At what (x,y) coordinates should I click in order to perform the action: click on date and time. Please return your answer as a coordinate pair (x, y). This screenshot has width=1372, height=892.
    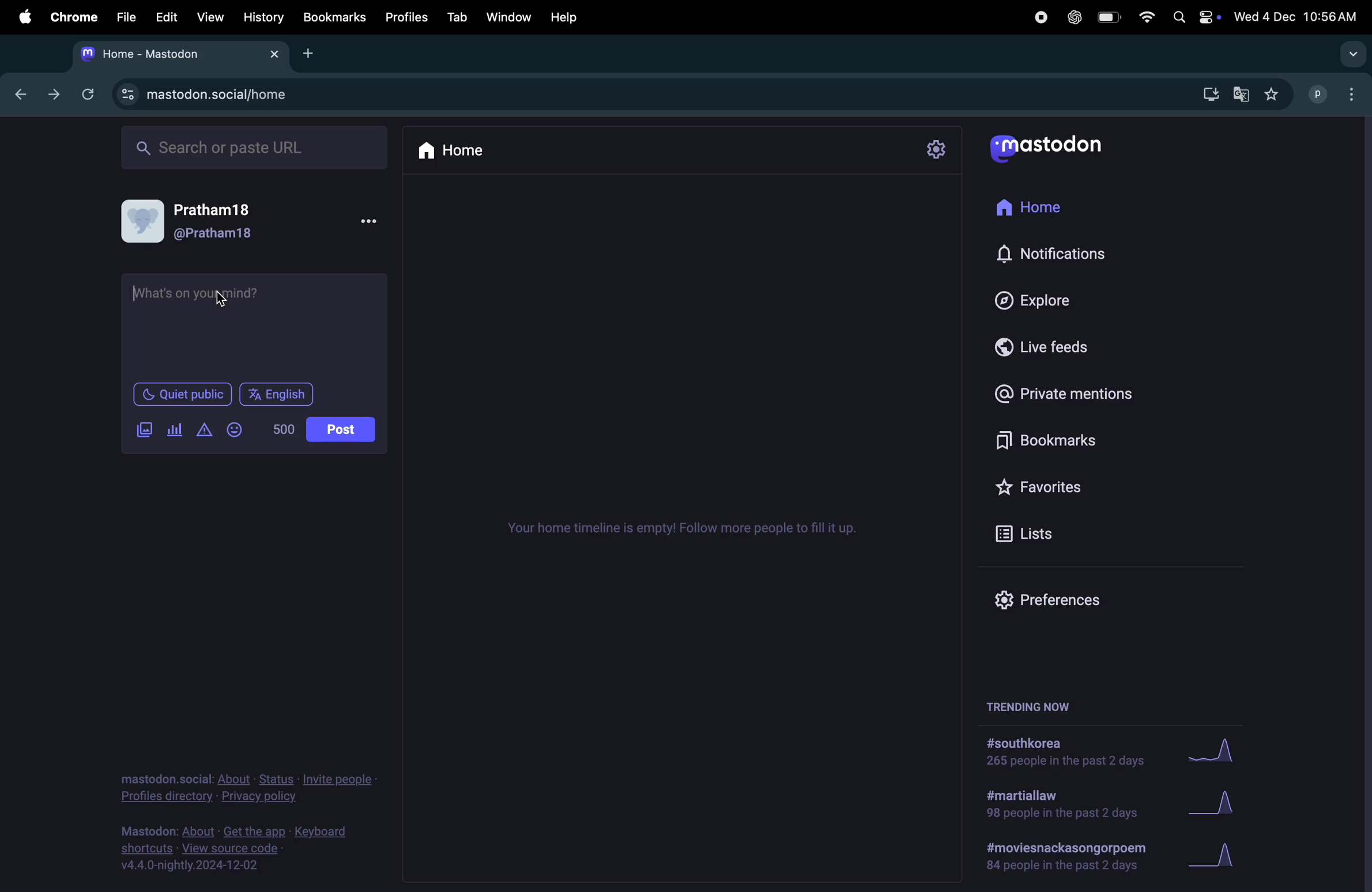
    Looking at the image, I should click on (1297, 14).